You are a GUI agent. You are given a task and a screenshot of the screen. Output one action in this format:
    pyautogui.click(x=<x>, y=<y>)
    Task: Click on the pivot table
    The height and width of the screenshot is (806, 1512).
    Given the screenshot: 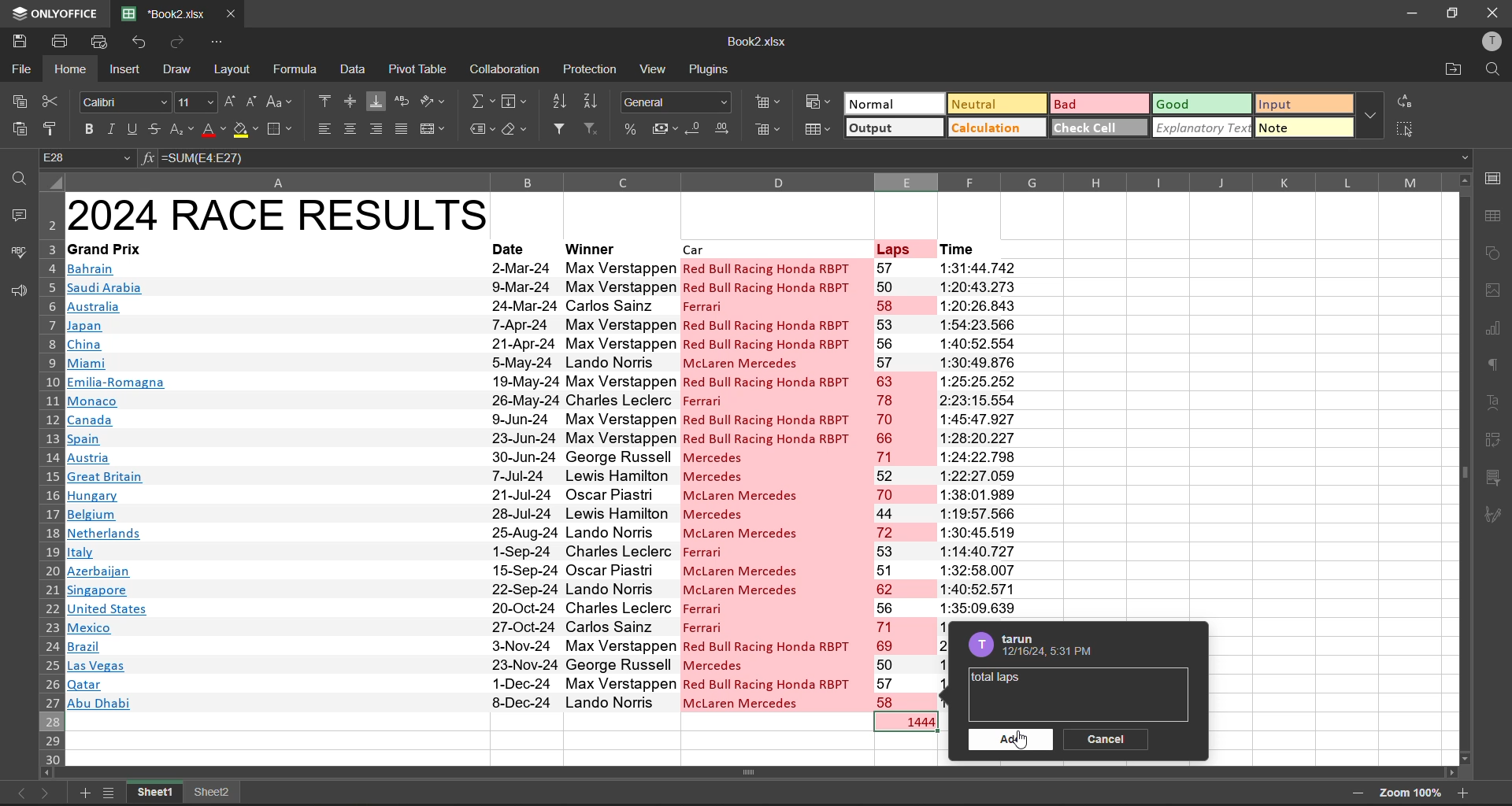 What is the action you would take?
    pyautogui.click(x=1493, y=441)
    